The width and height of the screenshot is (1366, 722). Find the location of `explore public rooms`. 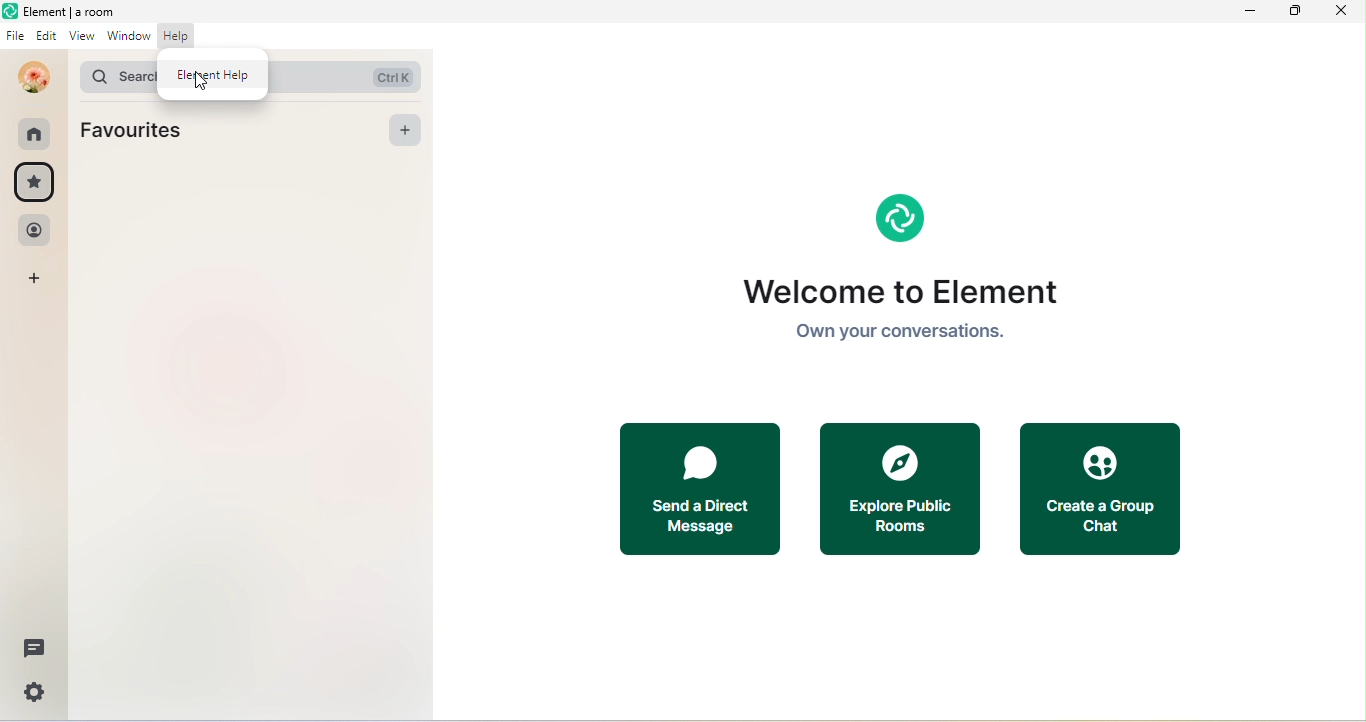

explore public rooms is located at coordinates (913, 491).